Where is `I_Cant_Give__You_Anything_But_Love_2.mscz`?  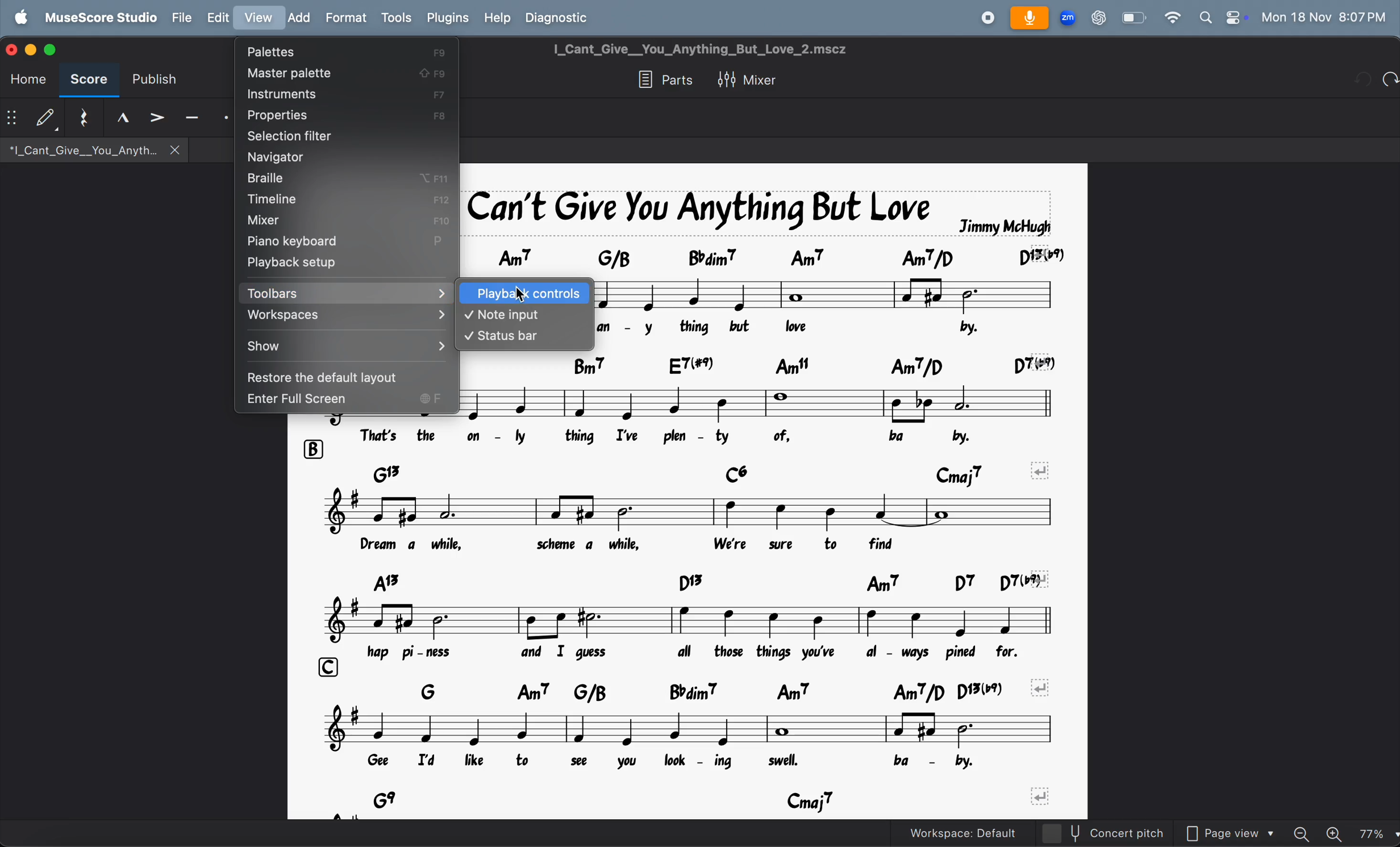
I_Cant_Give__You_Anything_But_Love_2.mscz is located at coordinates (700, 49).